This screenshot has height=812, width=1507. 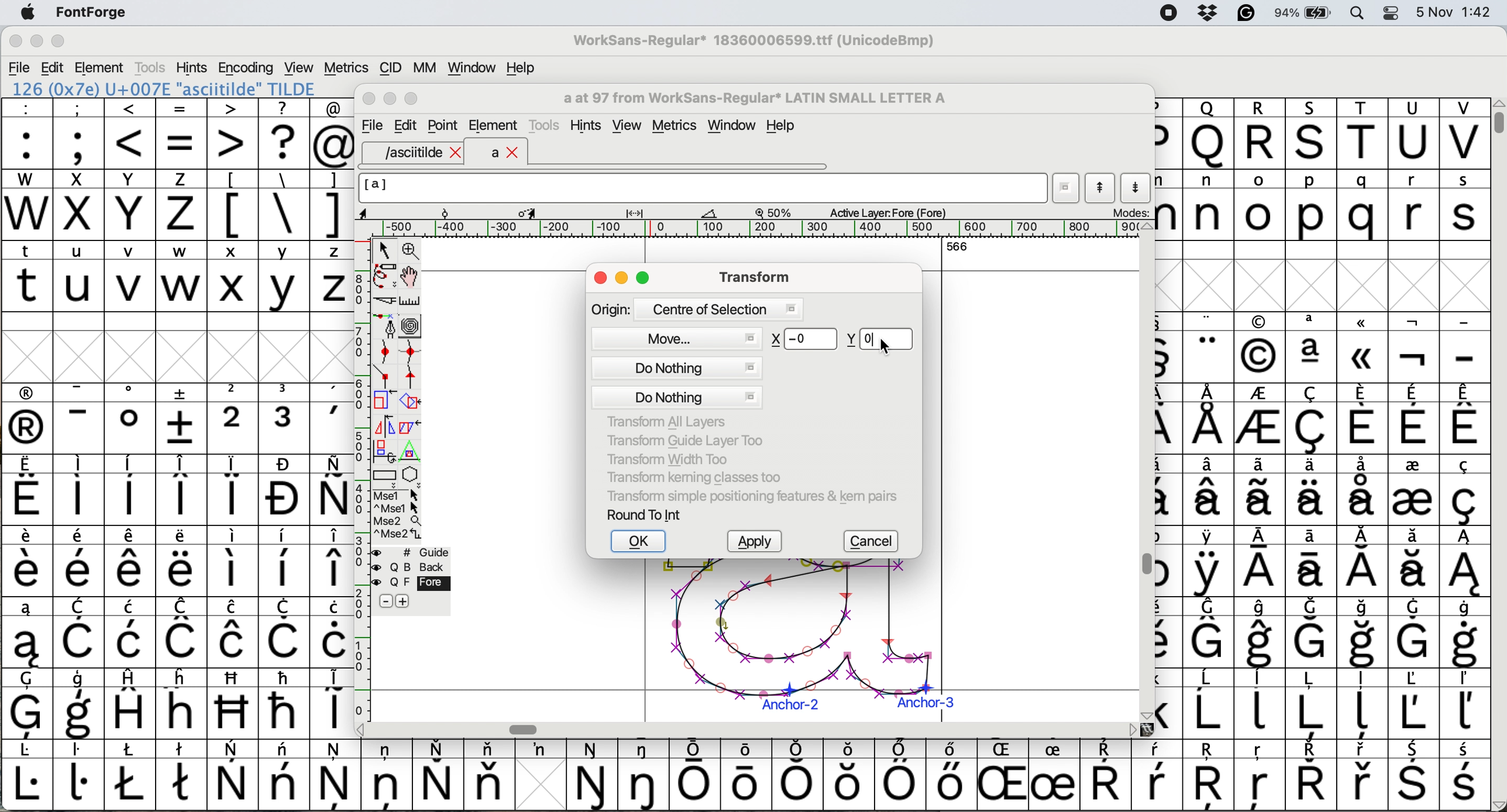 I want to click on remove, so click(x=386, y=602).